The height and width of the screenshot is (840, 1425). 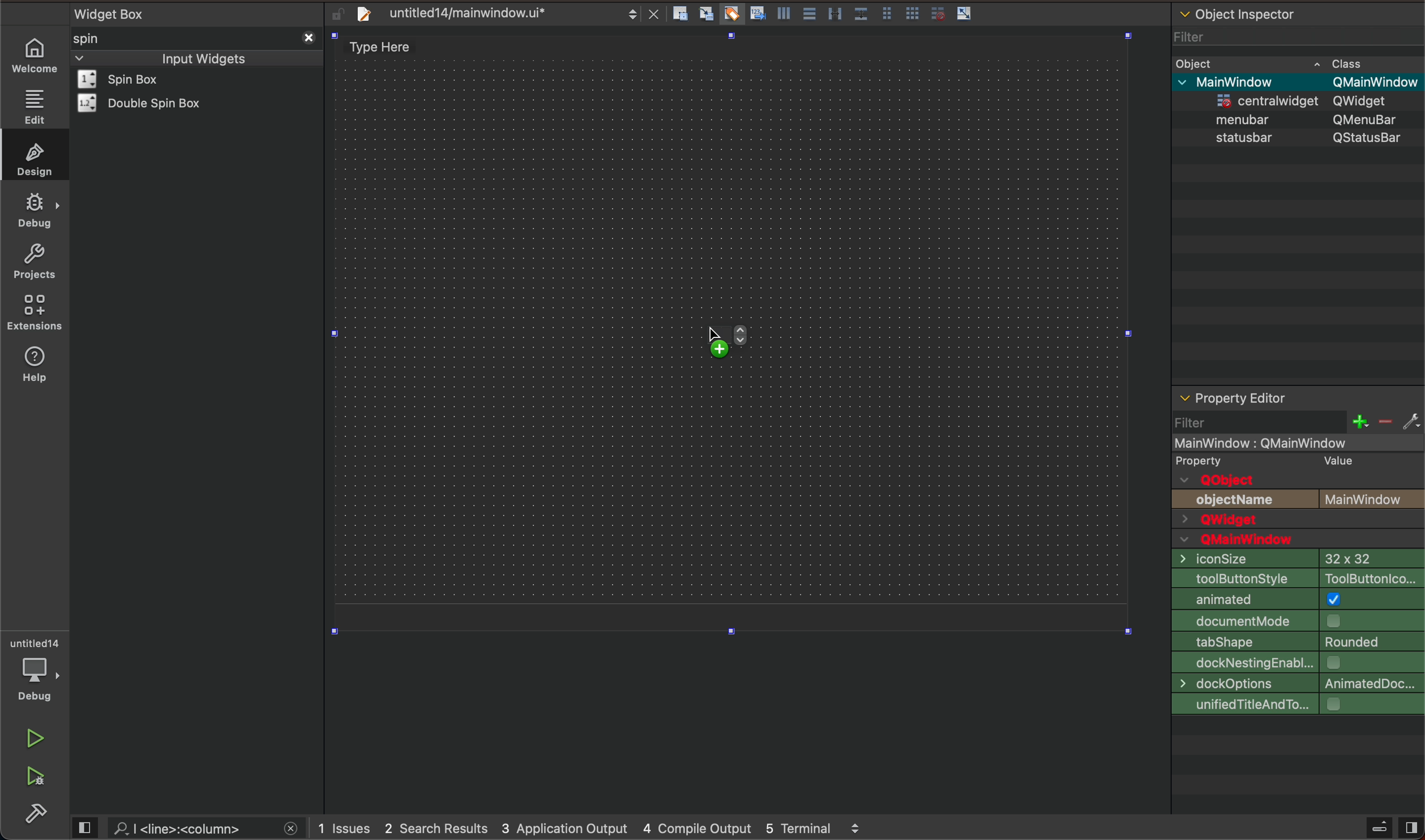 I want to click on object being dragged, so click(x=790, y=346).